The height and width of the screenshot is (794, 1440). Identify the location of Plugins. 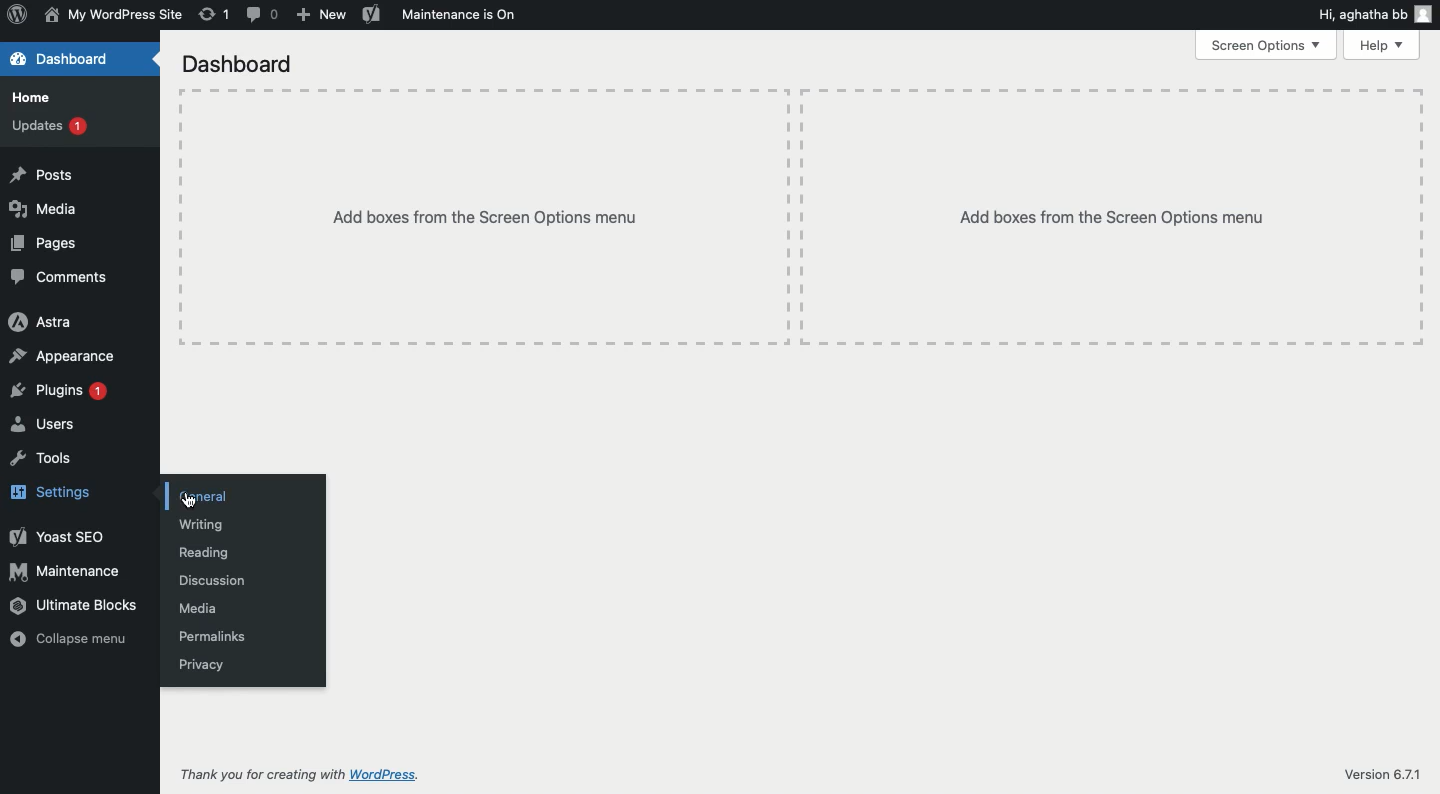
(63, 392).